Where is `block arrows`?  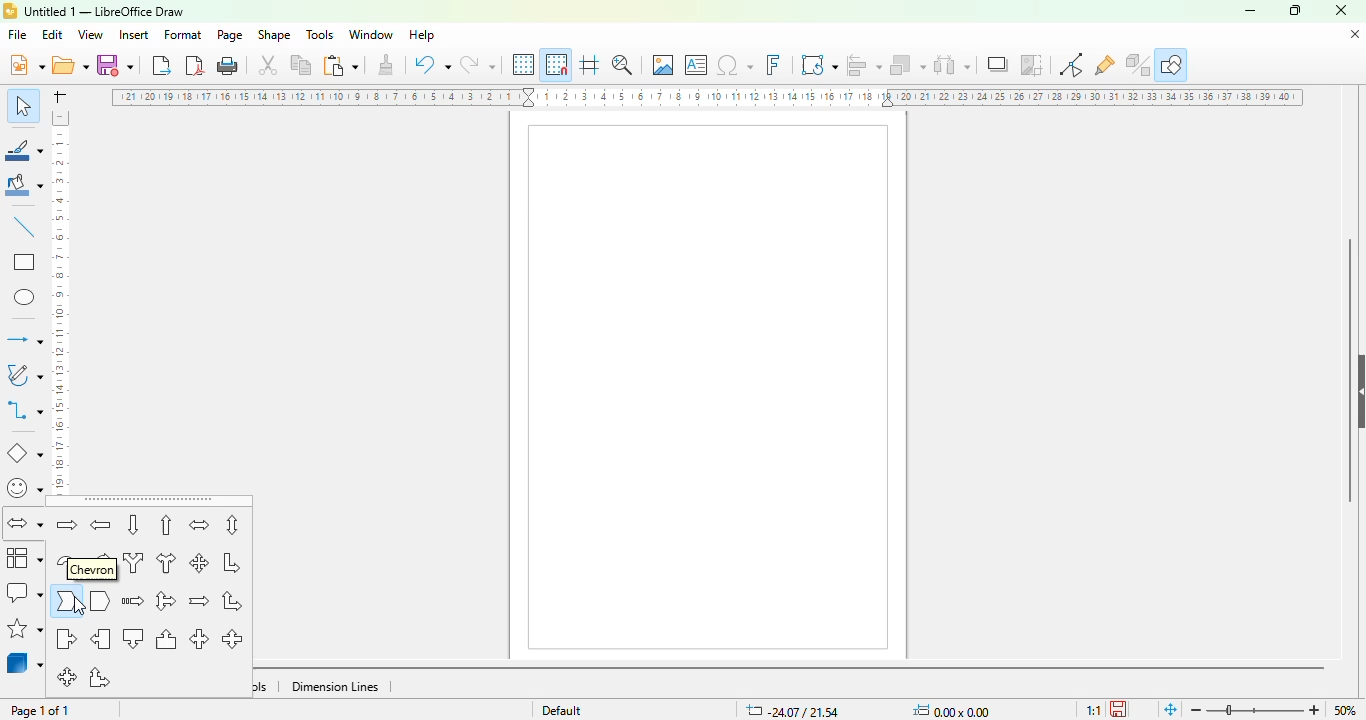 block arrows is located at coordinates (23, 525).